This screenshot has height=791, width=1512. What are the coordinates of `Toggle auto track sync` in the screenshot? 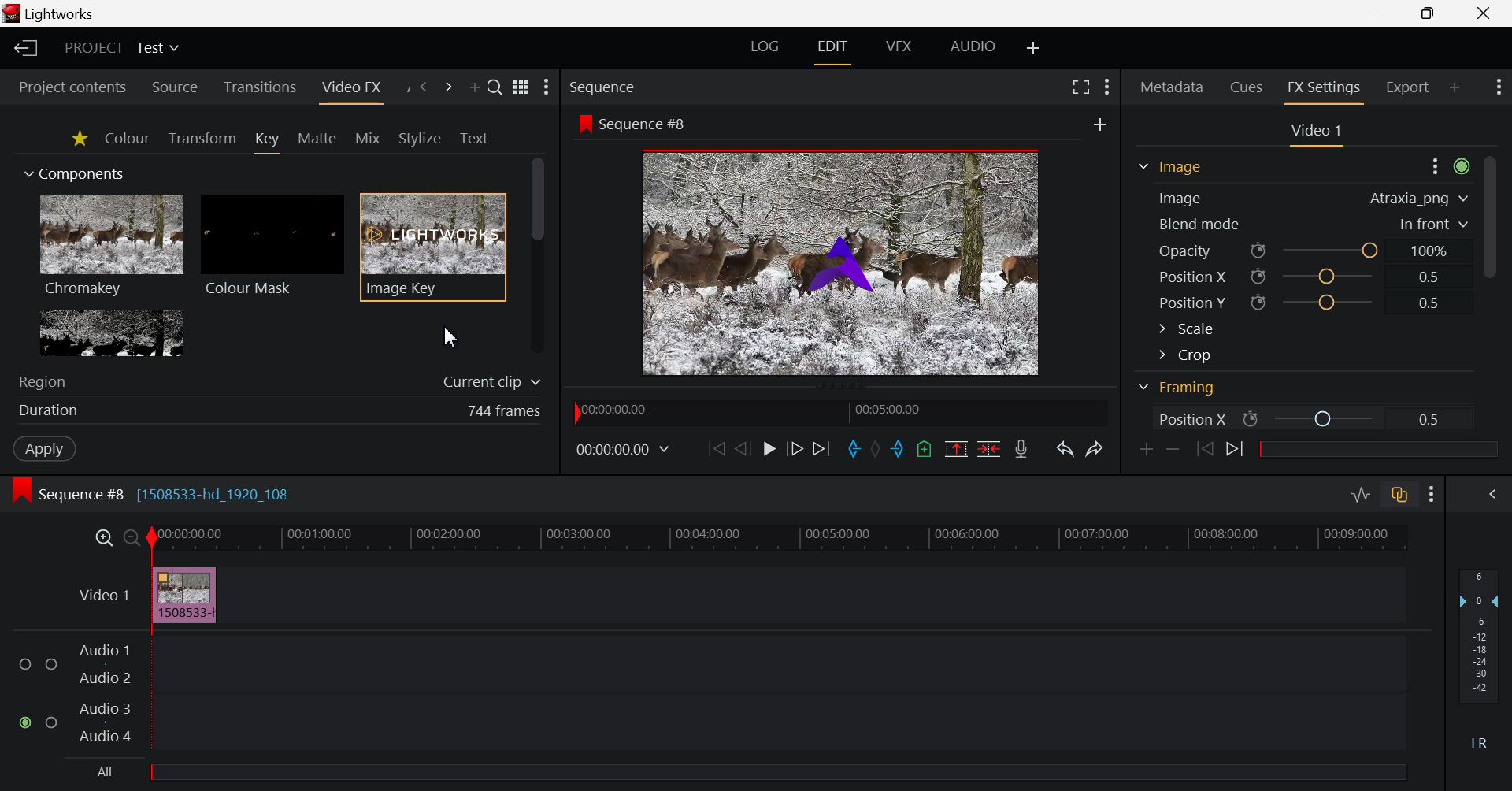 It's located at (1400, 496).